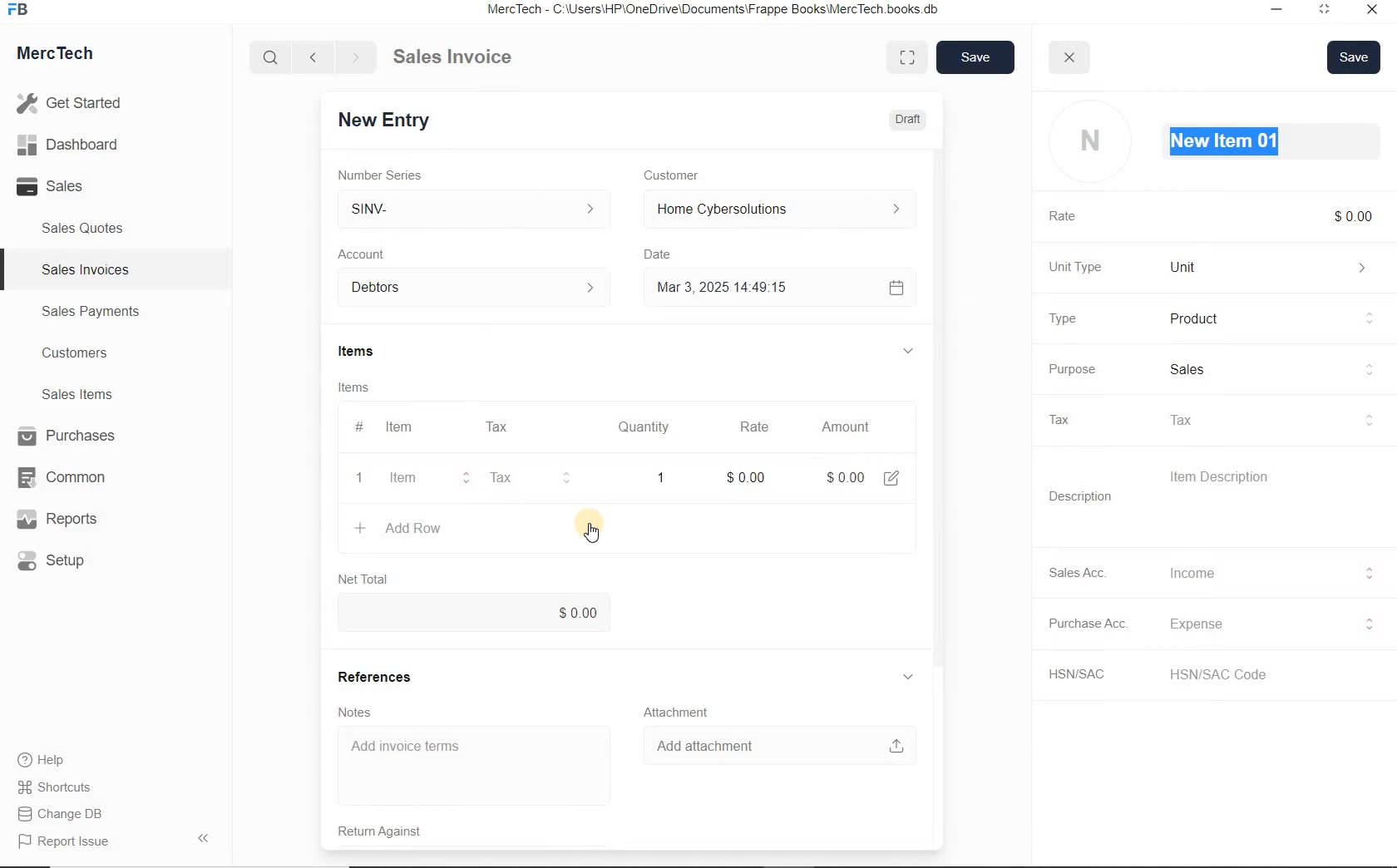 The width and height of the screenshot is (1397, 868). Describe the element at coordinates (715, 10) in the screenshot. I see `MercTech - C:\Users\HP\OneDrive\Documents\Frappe Books\MercTech books db` at that location.